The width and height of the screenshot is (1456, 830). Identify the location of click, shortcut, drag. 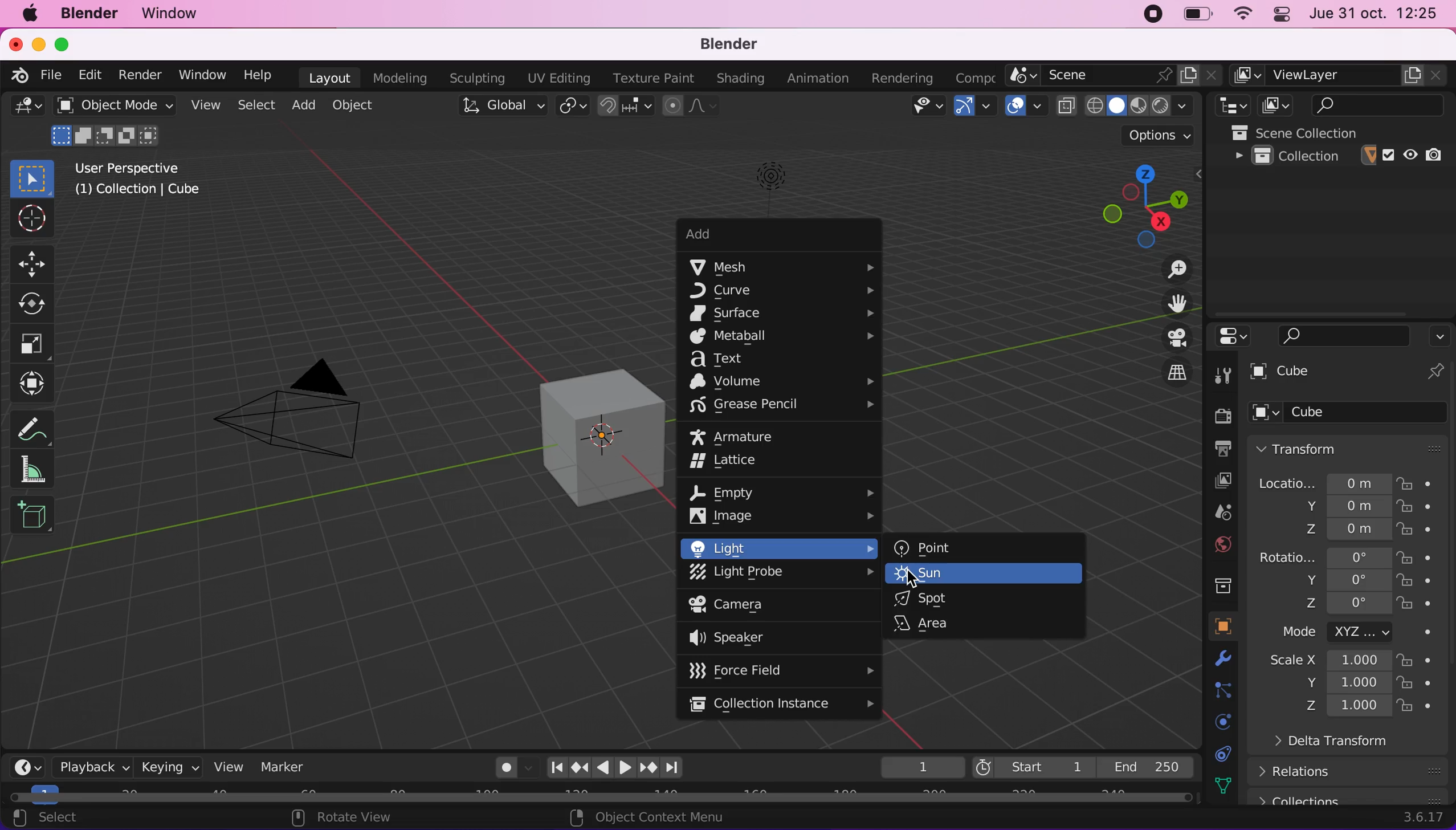
(1137, 201).